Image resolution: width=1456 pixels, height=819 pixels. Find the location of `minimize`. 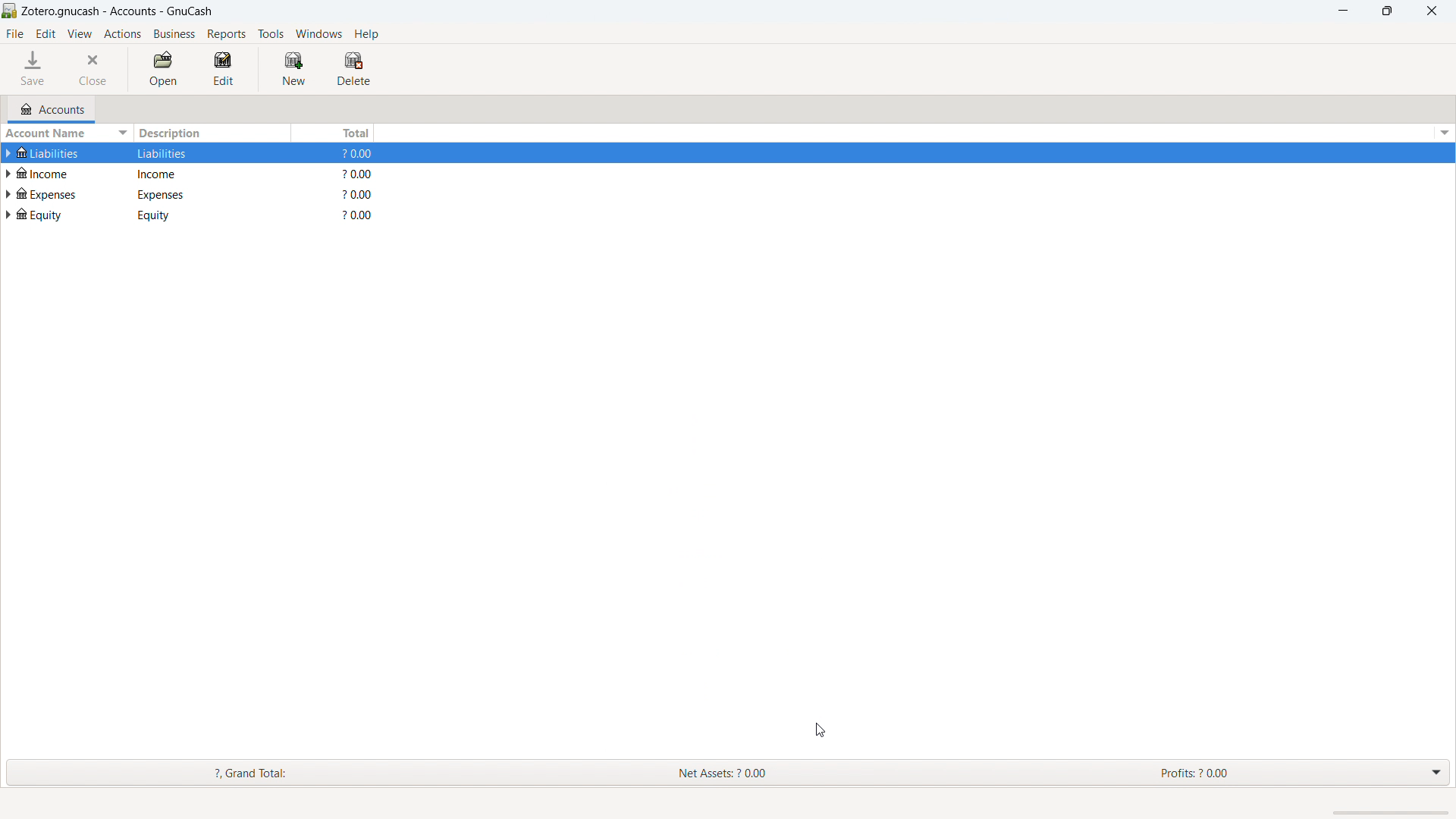

minimize is located at coordinates (1341, 10).